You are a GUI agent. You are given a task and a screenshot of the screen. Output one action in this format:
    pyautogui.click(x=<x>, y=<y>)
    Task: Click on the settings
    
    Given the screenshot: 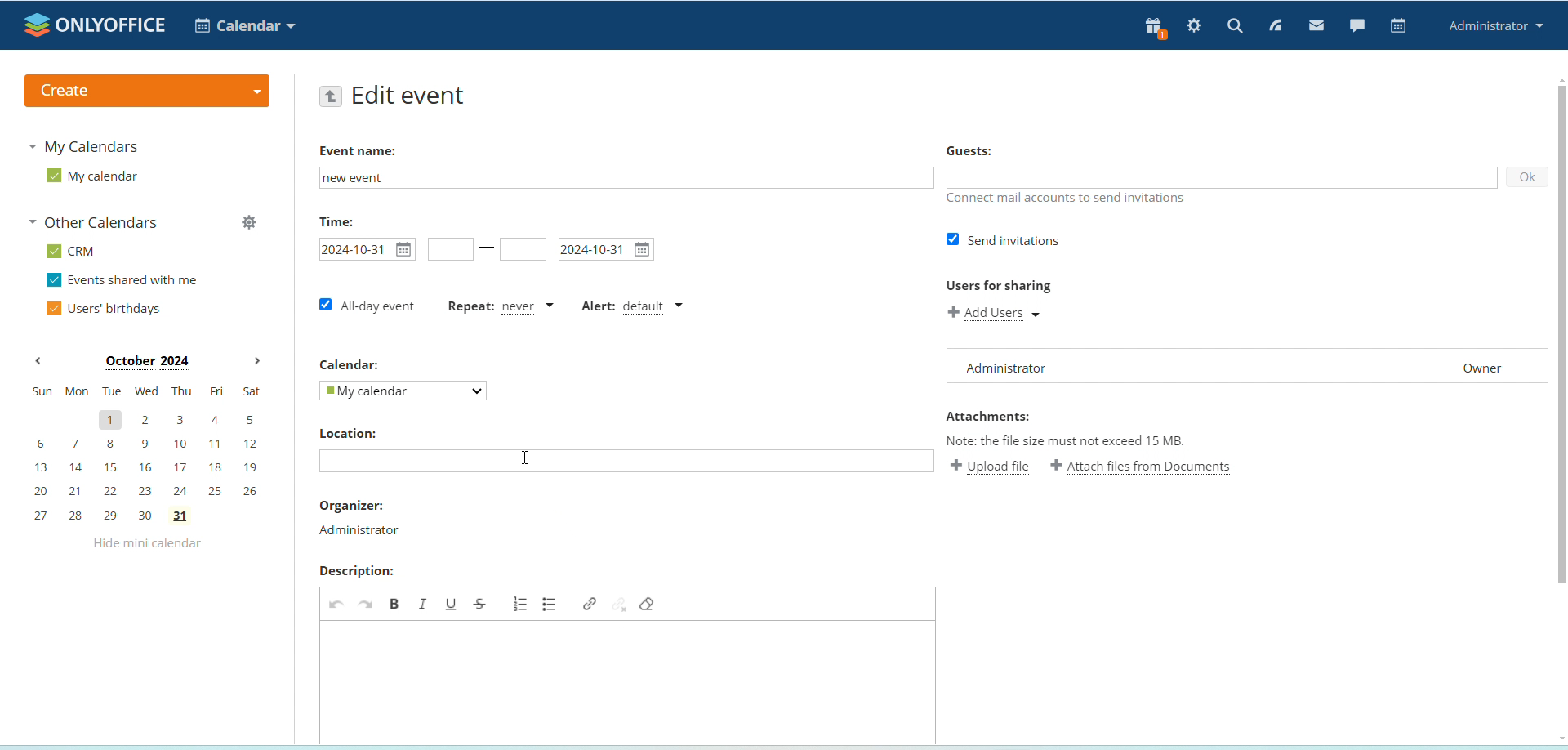 What is the action you would take?
    pyautogui.click(x=1195, y=27)
    